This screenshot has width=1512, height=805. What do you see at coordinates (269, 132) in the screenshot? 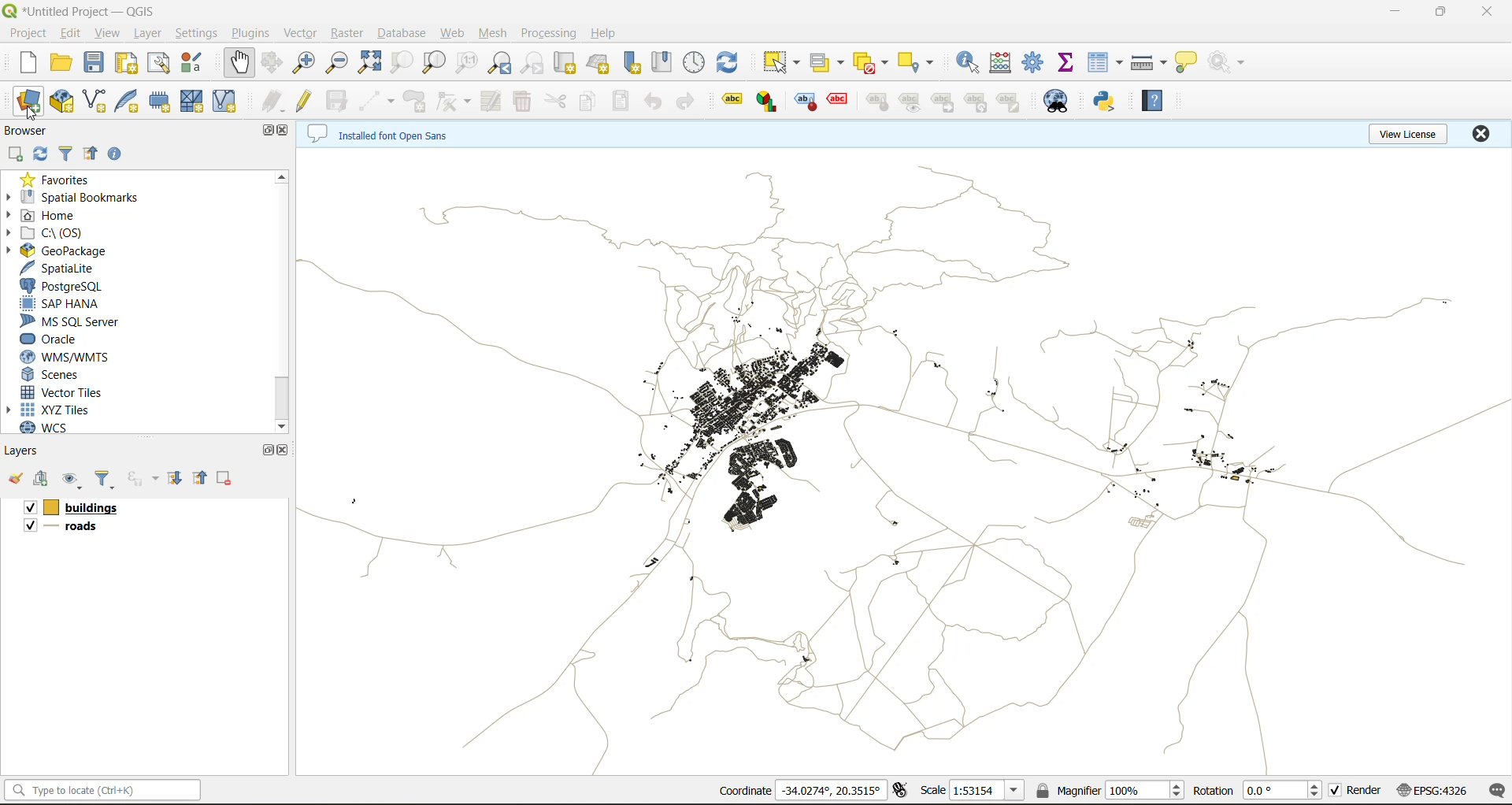
I see `maximize` at bounding box center [269, 132].